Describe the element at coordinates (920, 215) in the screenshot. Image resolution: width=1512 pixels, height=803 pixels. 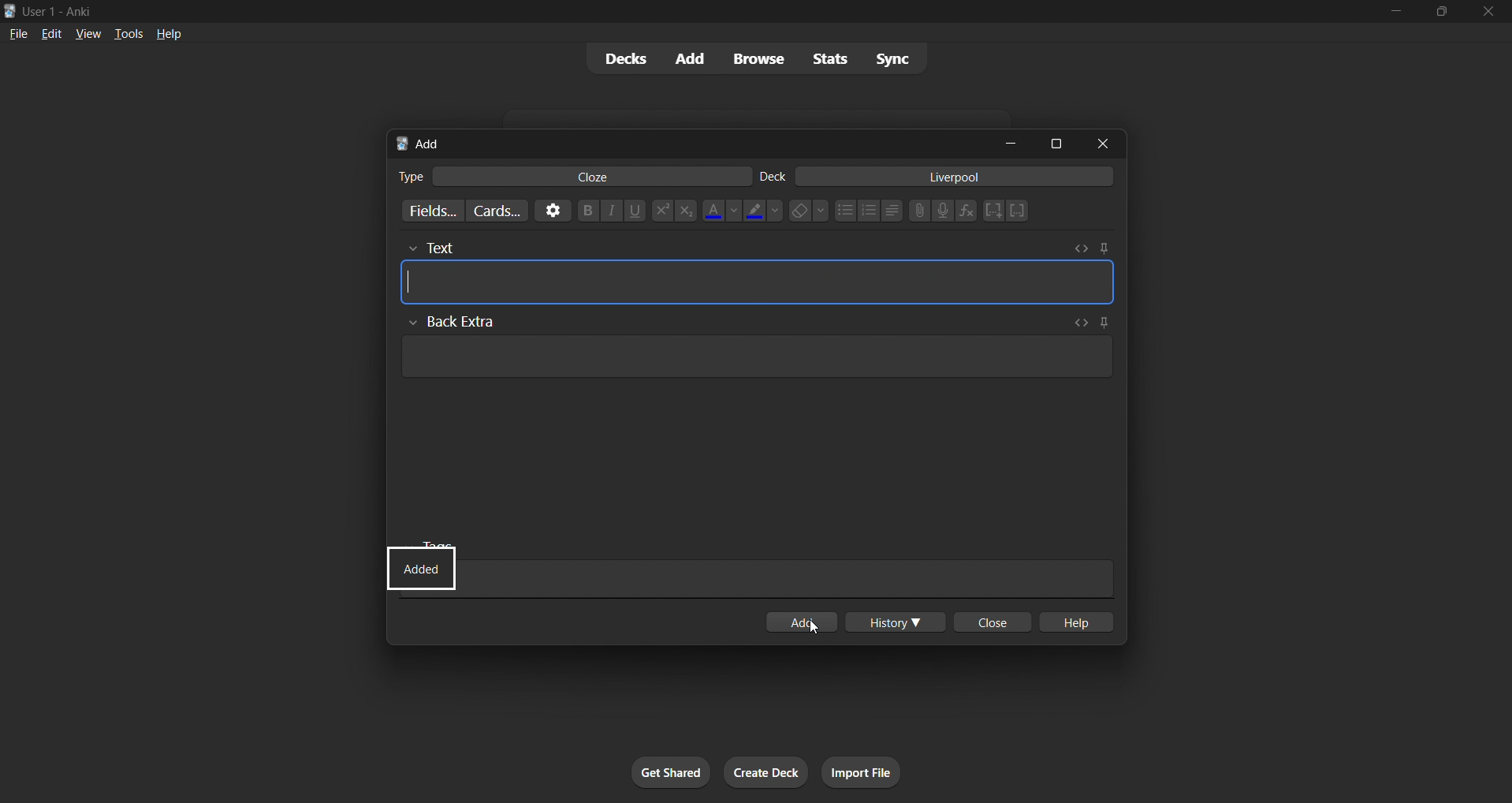
I see `insert images` at that location.